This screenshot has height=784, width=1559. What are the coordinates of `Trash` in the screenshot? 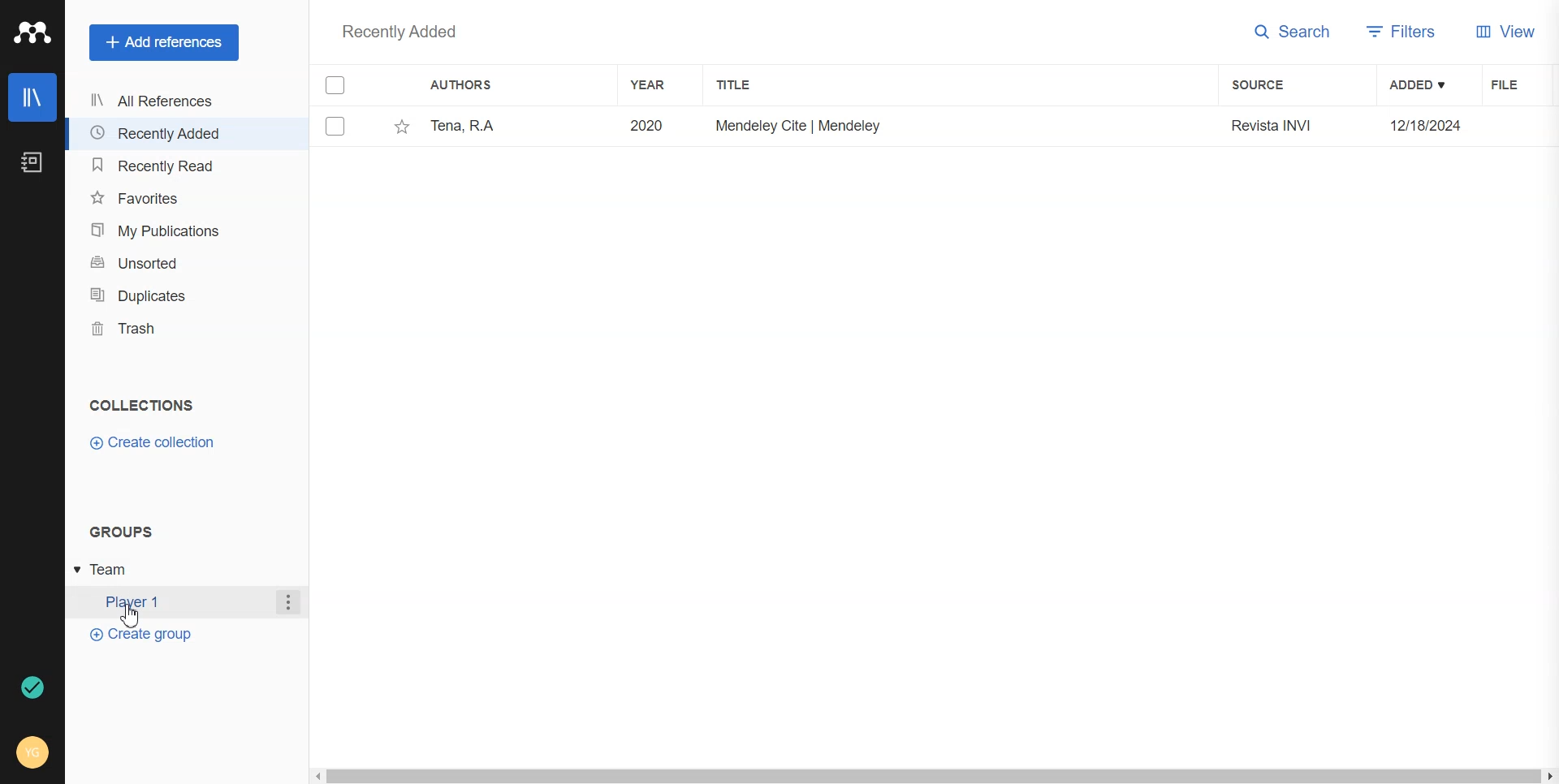 It's located at (163, 329).